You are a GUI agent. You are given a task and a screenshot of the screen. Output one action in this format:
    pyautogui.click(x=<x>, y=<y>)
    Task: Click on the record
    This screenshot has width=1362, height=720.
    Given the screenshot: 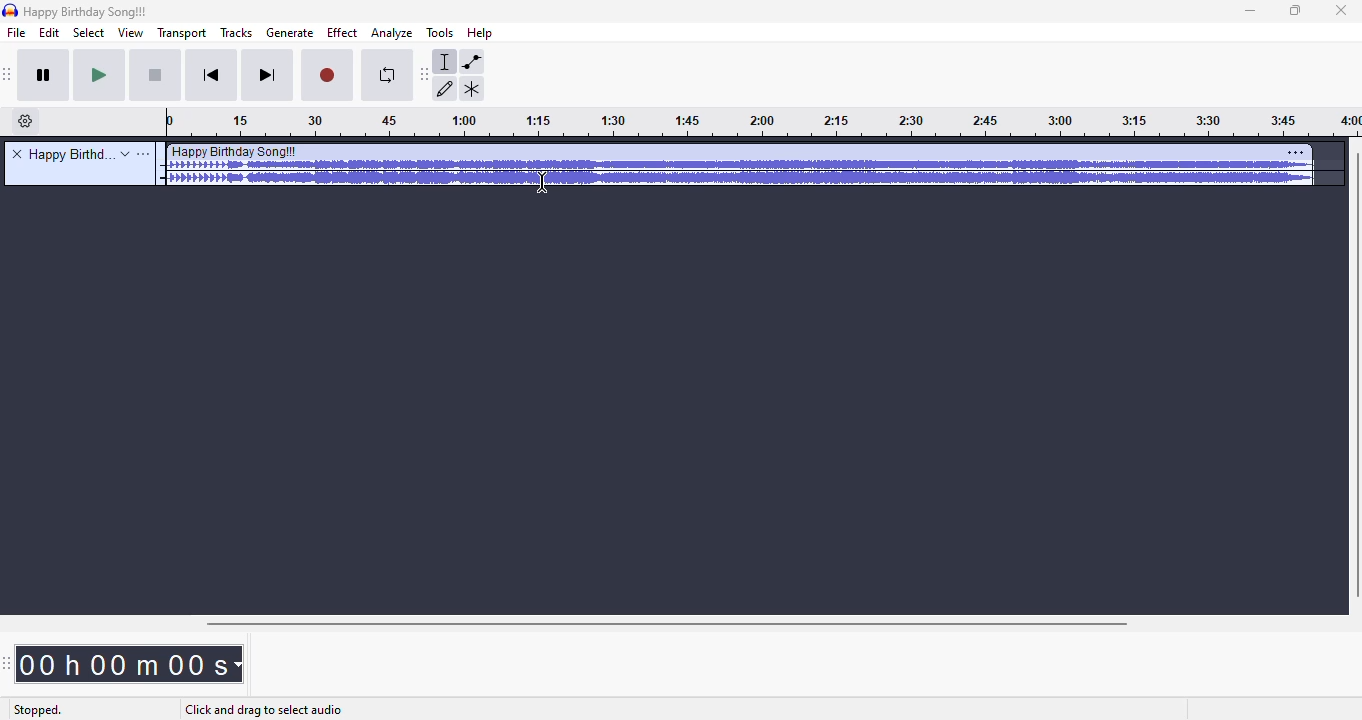 What is the action you would take?
    pyautogui.click(x=328, y=77)
    